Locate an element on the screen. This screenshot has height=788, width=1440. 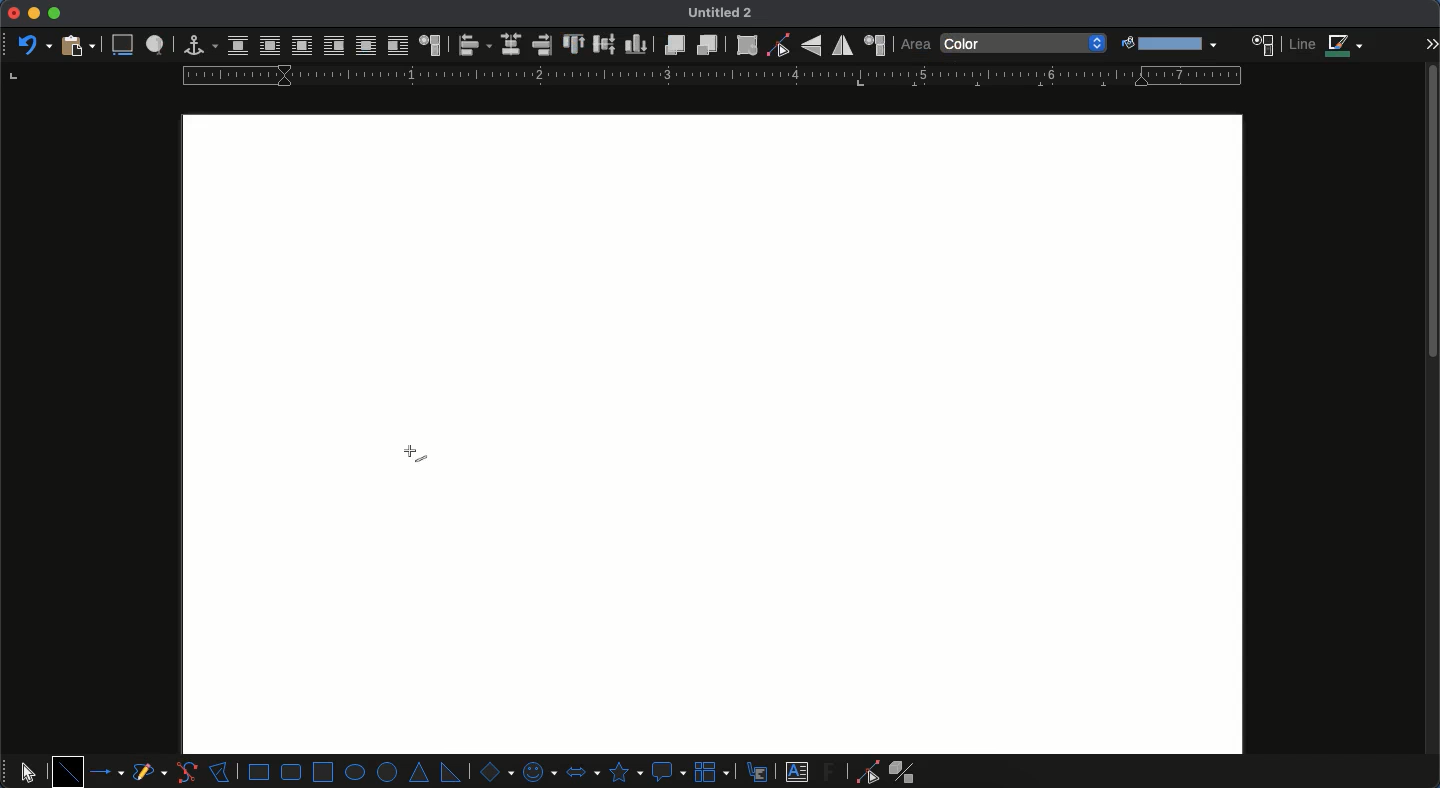
cursor is located at coordinates (412, 458).